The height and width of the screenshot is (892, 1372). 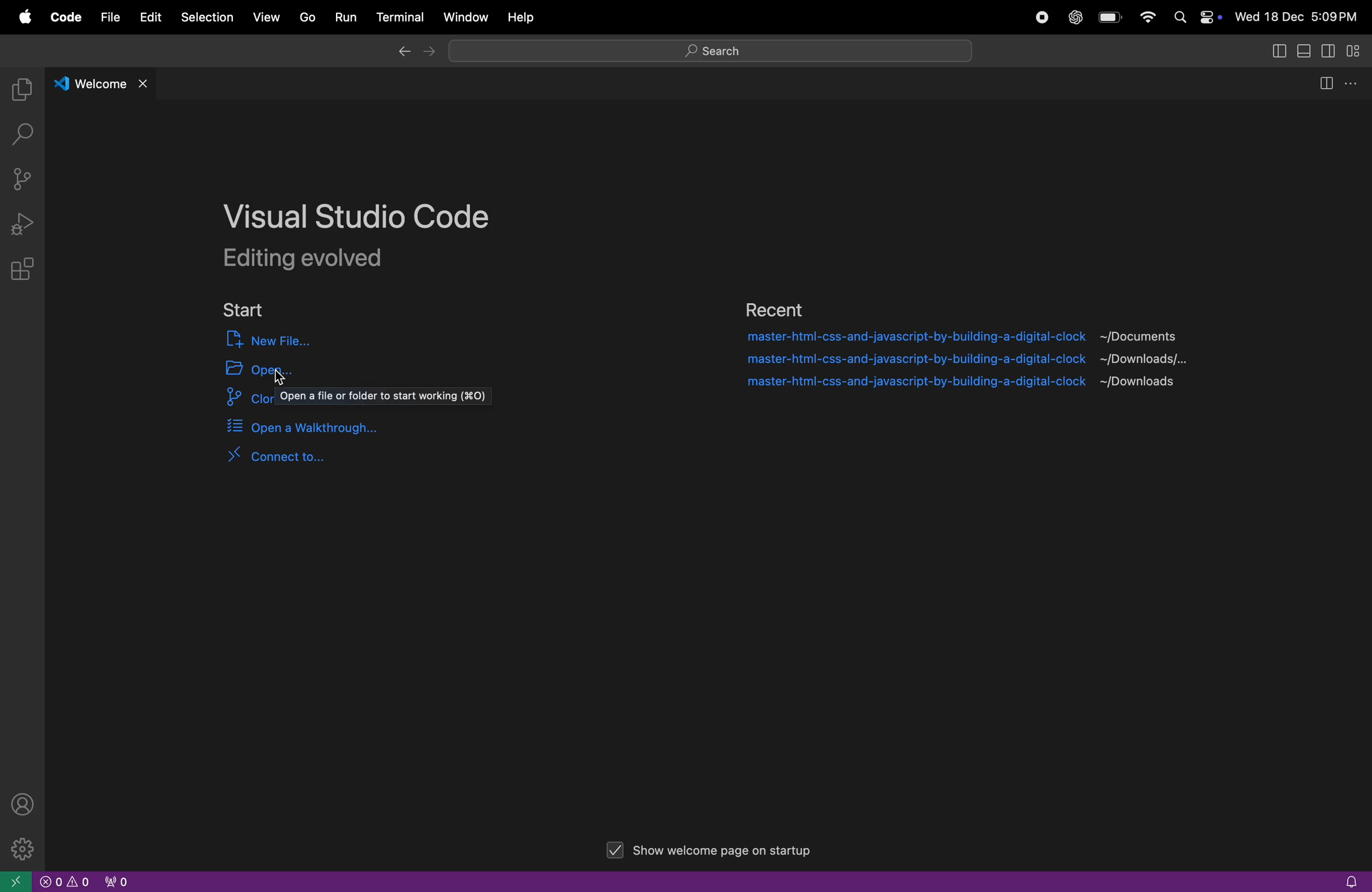 What do you see at coordinates (1324, 85) in the screenshot?
I see `split editor` at bounding box center [1324, 85].